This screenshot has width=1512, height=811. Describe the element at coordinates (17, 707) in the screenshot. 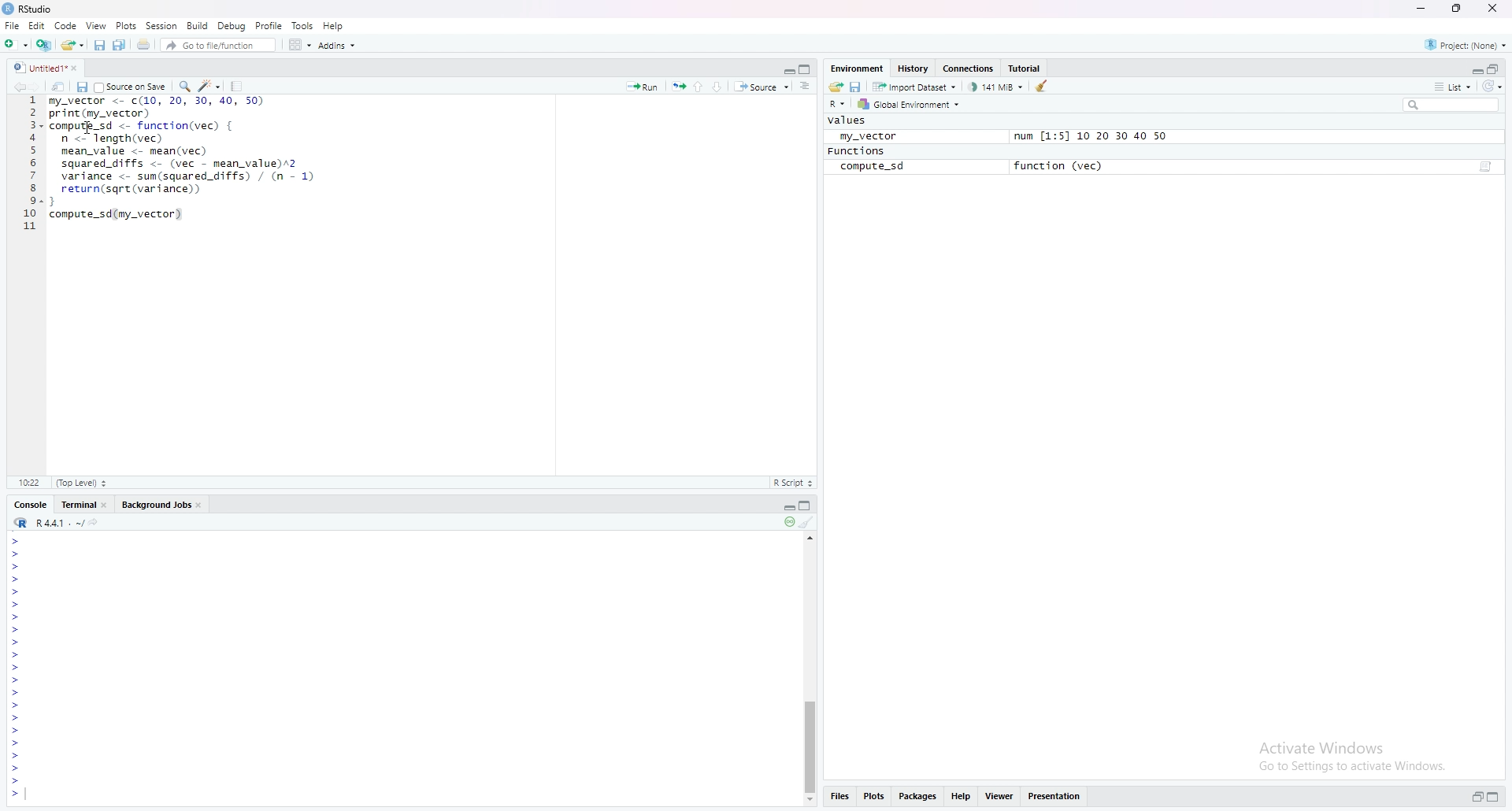

I see `Prompt cursor` at that location.